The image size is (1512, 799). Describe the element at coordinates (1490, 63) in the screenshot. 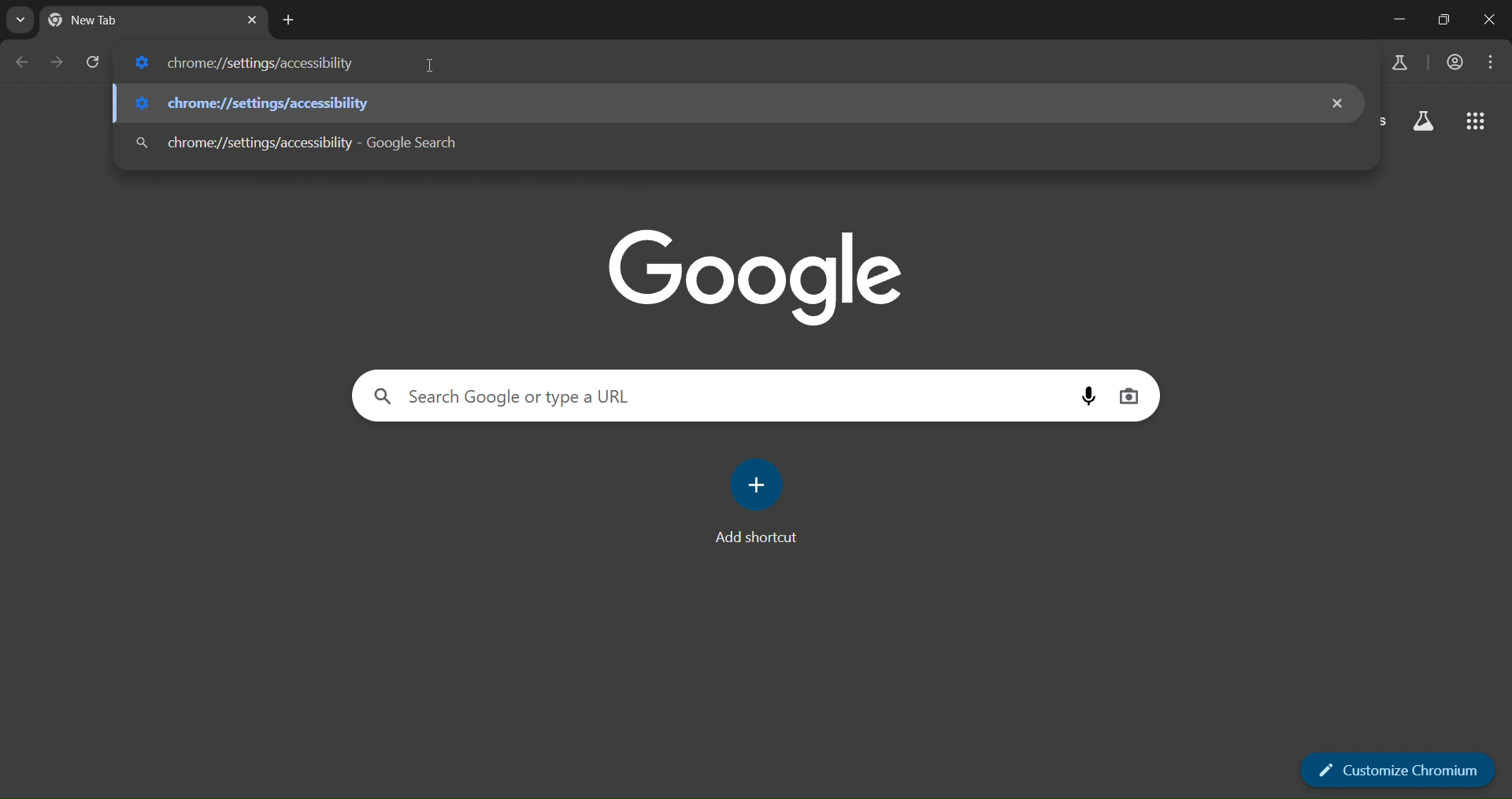

I see `menu` at that location.